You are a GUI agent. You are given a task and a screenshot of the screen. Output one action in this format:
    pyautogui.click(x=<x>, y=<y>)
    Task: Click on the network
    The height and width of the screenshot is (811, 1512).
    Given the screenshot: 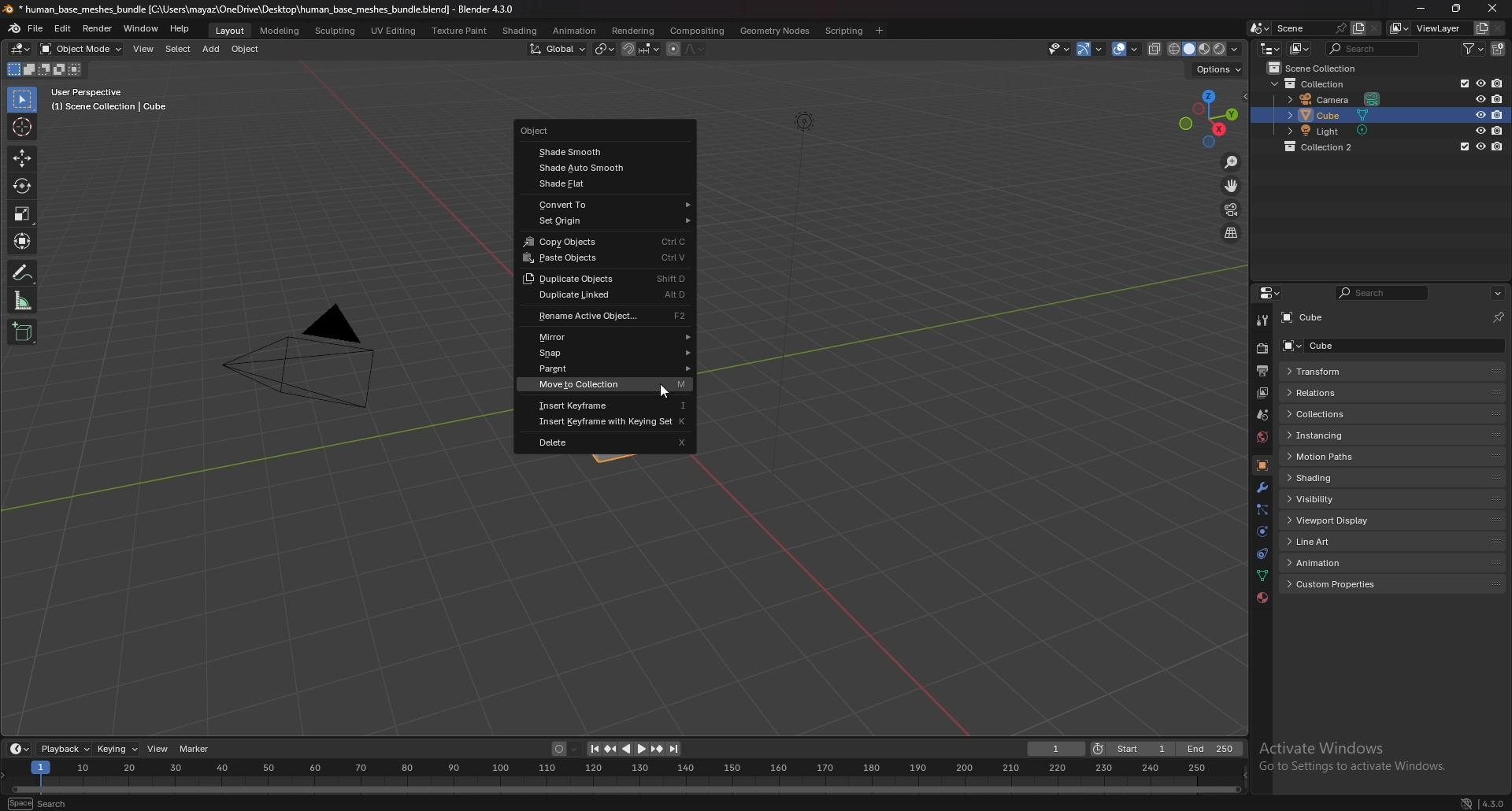 What is the action you would take?
    pyautogui.click(x=1465, y=802)
    